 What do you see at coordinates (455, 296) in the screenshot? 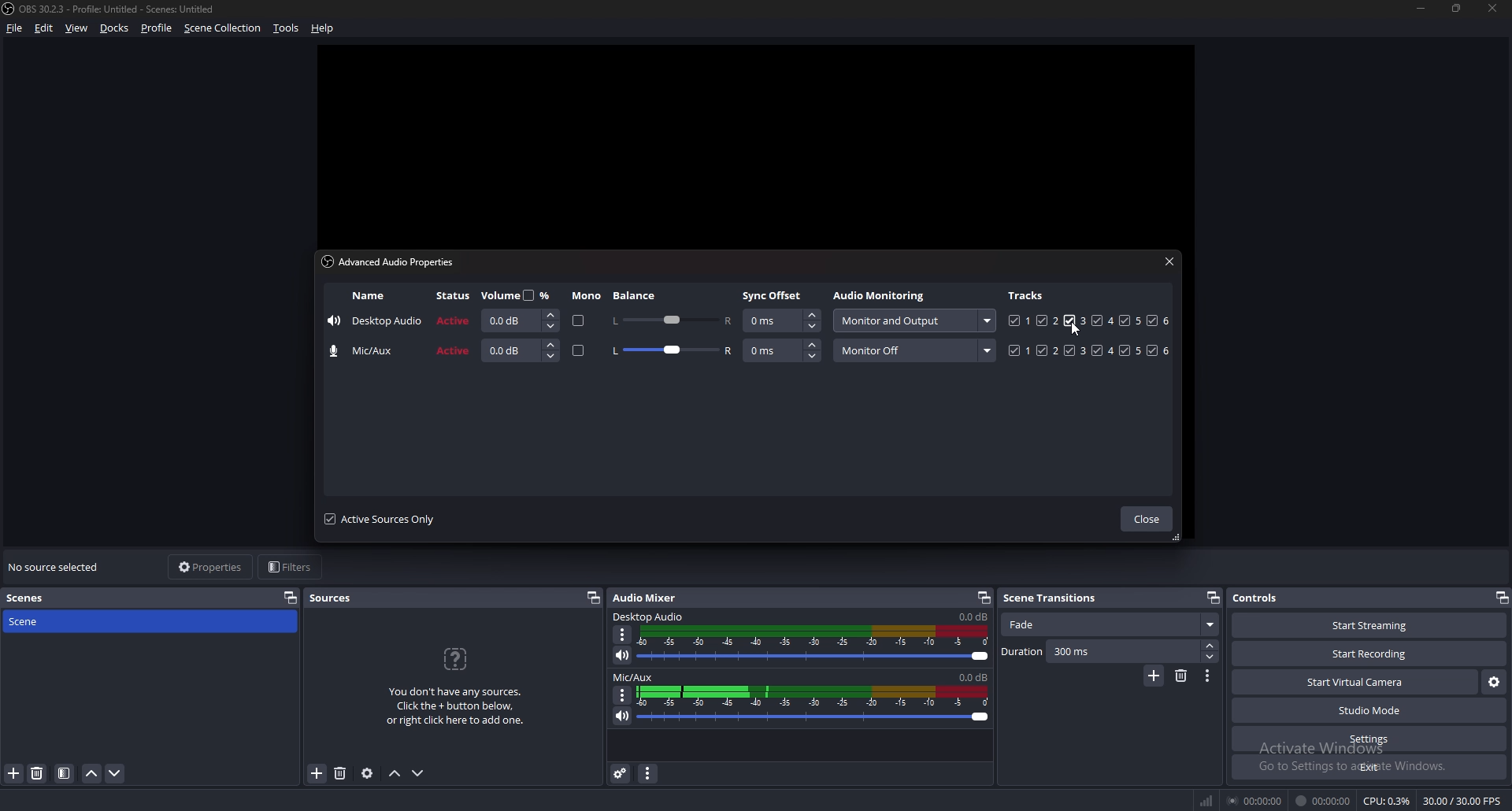
I see `stuatus` at bounding box center [455, 296].